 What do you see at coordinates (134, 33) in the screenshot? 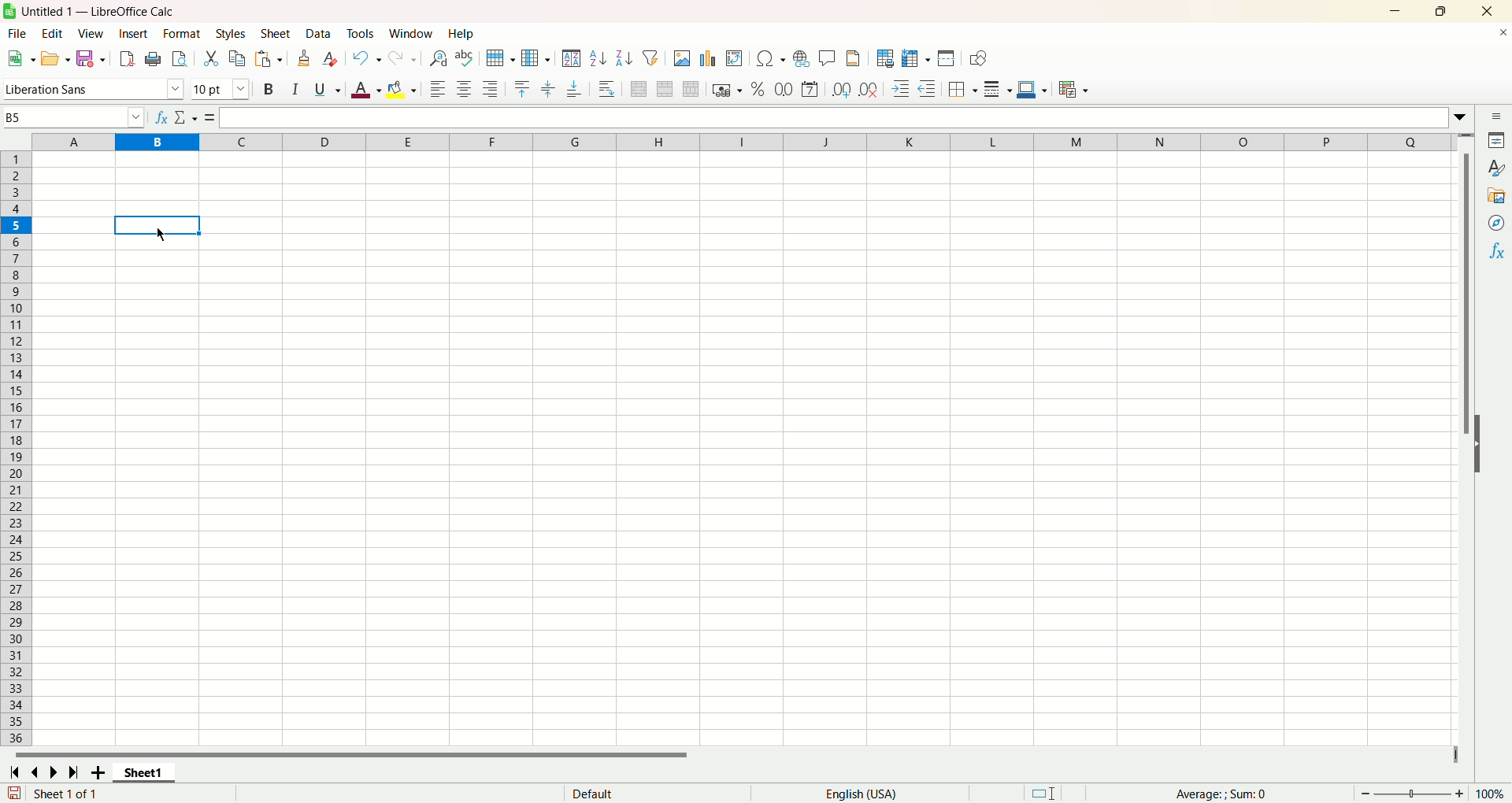
I see `insert` at bounding box center [134, 33].